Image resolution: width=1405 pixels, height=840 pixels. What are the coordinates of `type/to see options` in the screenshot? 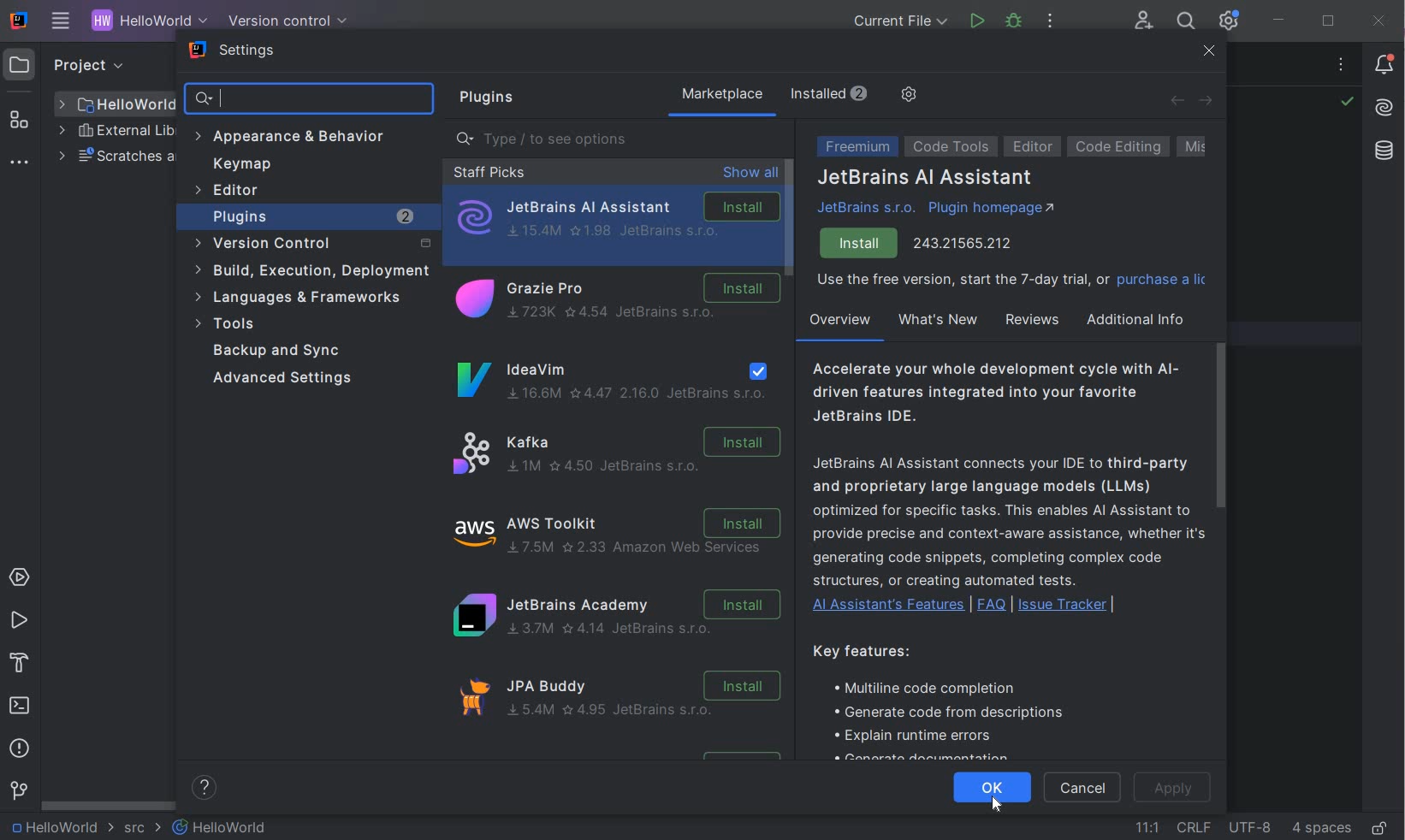 It's located at (620, 139).